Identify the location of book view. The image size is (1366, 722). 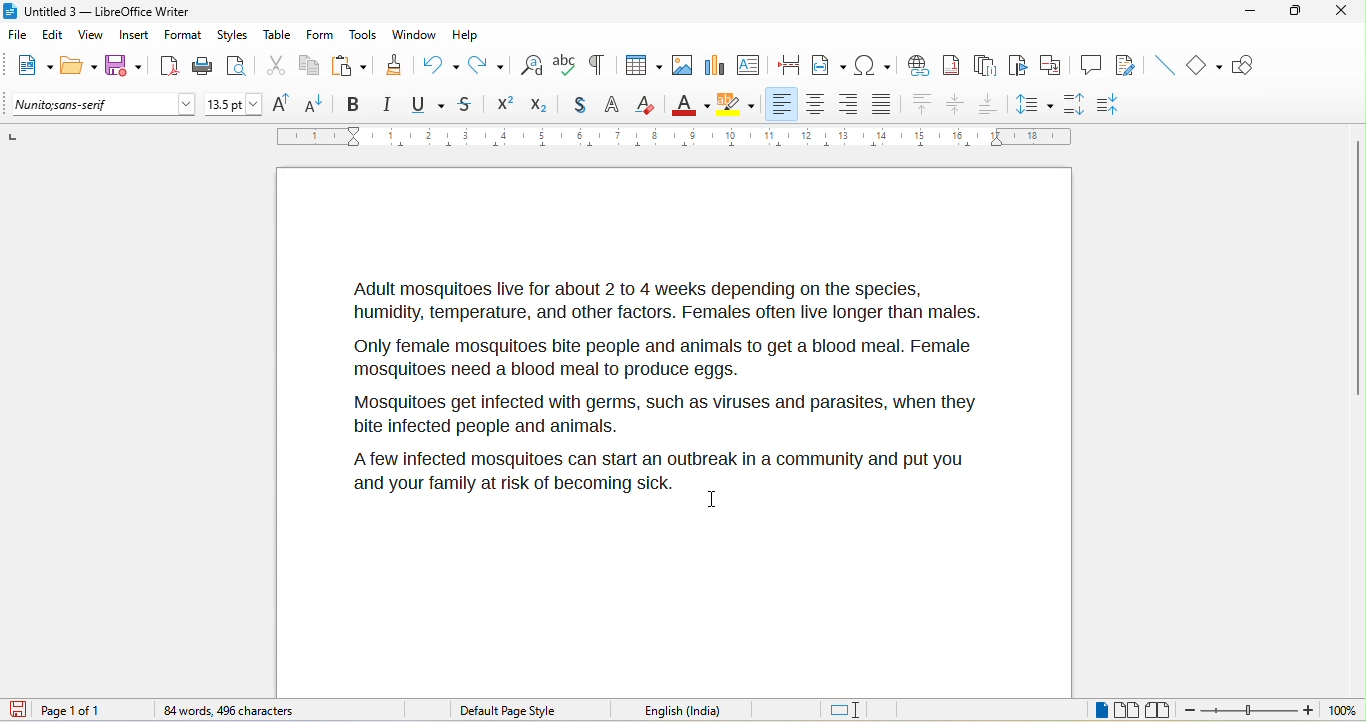
(1162, 710).